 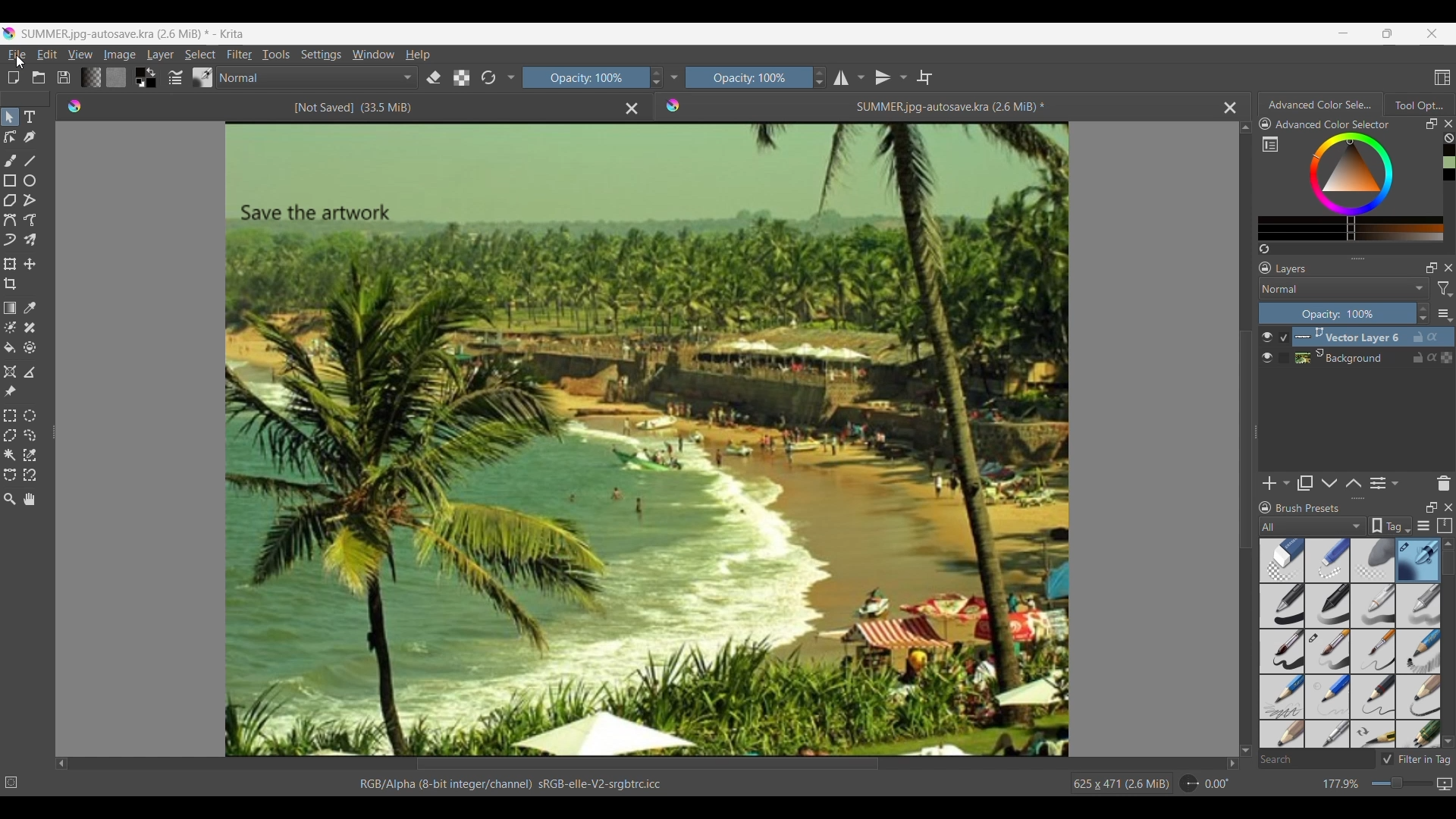 What do you see at coordinates (1265, 124) in the screenshot?
I see `Lock color panel` at bounding box center [1265, 124].